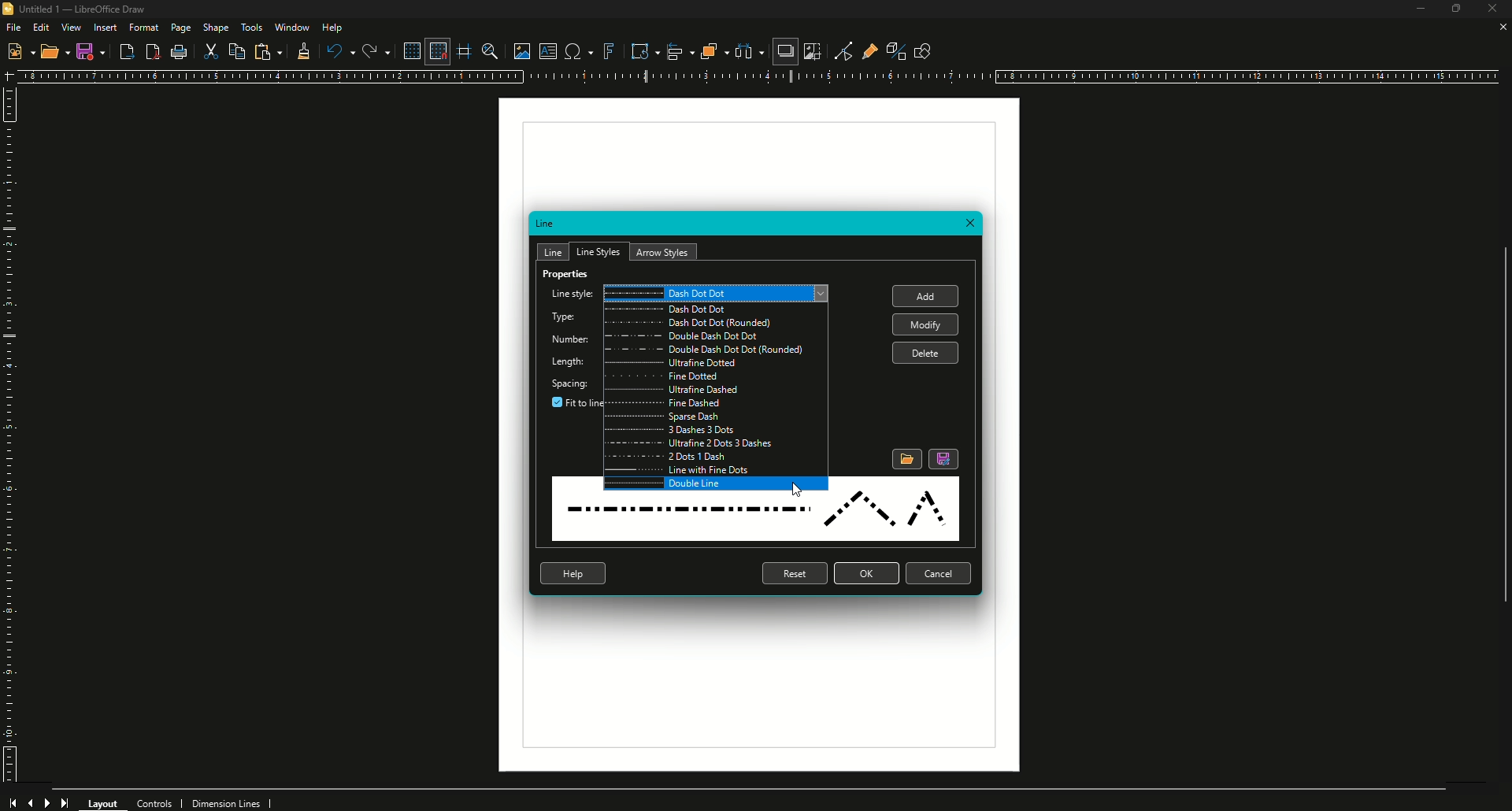 This screenshot has height=811, width=1512. Describe the element at coordinates (715, 365) in the screenshot. I see `Ultrafine Dotted` at that location.